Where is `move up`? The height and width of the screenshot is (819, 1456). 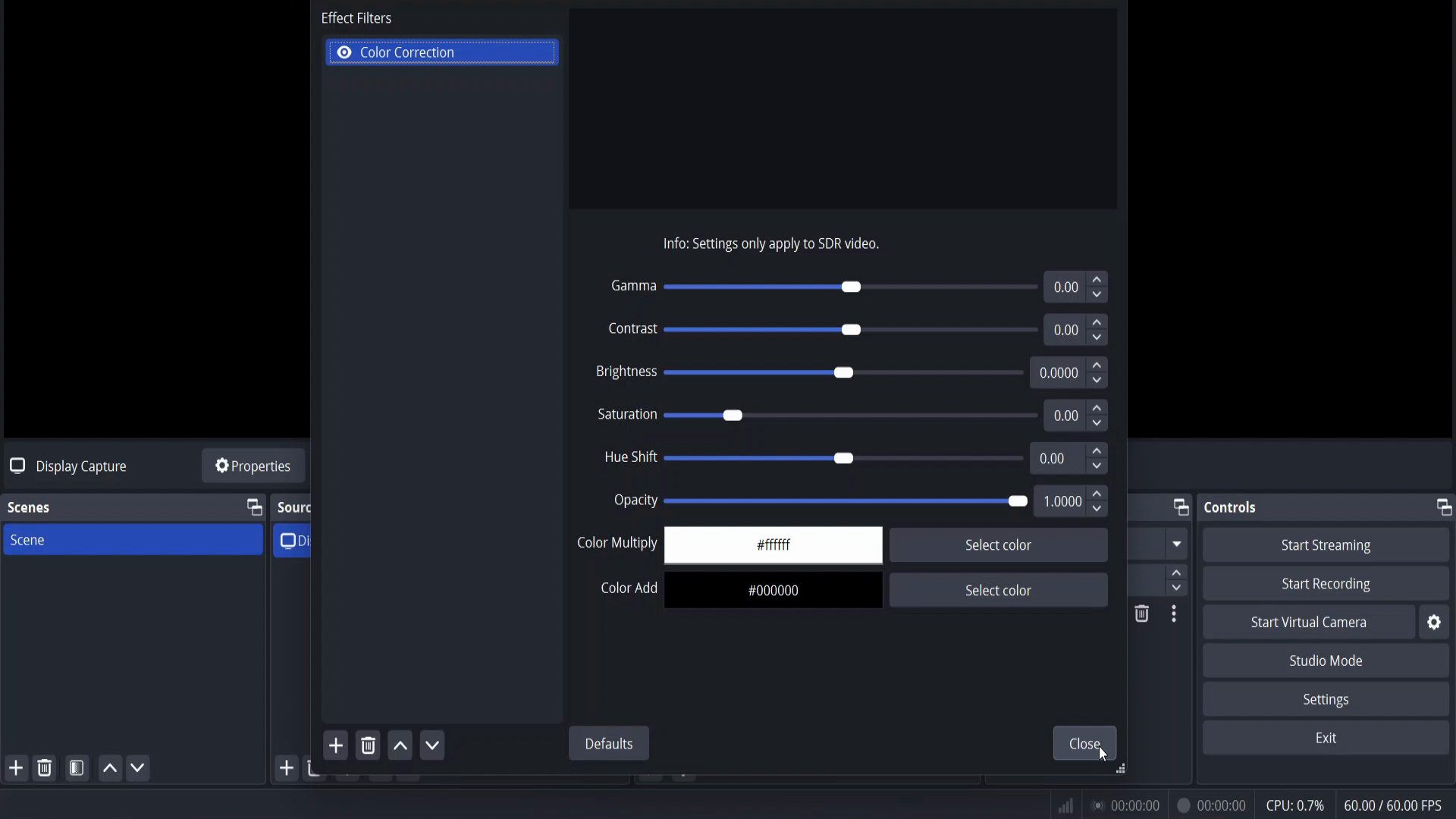
move up is located at coordinates (402, 748).